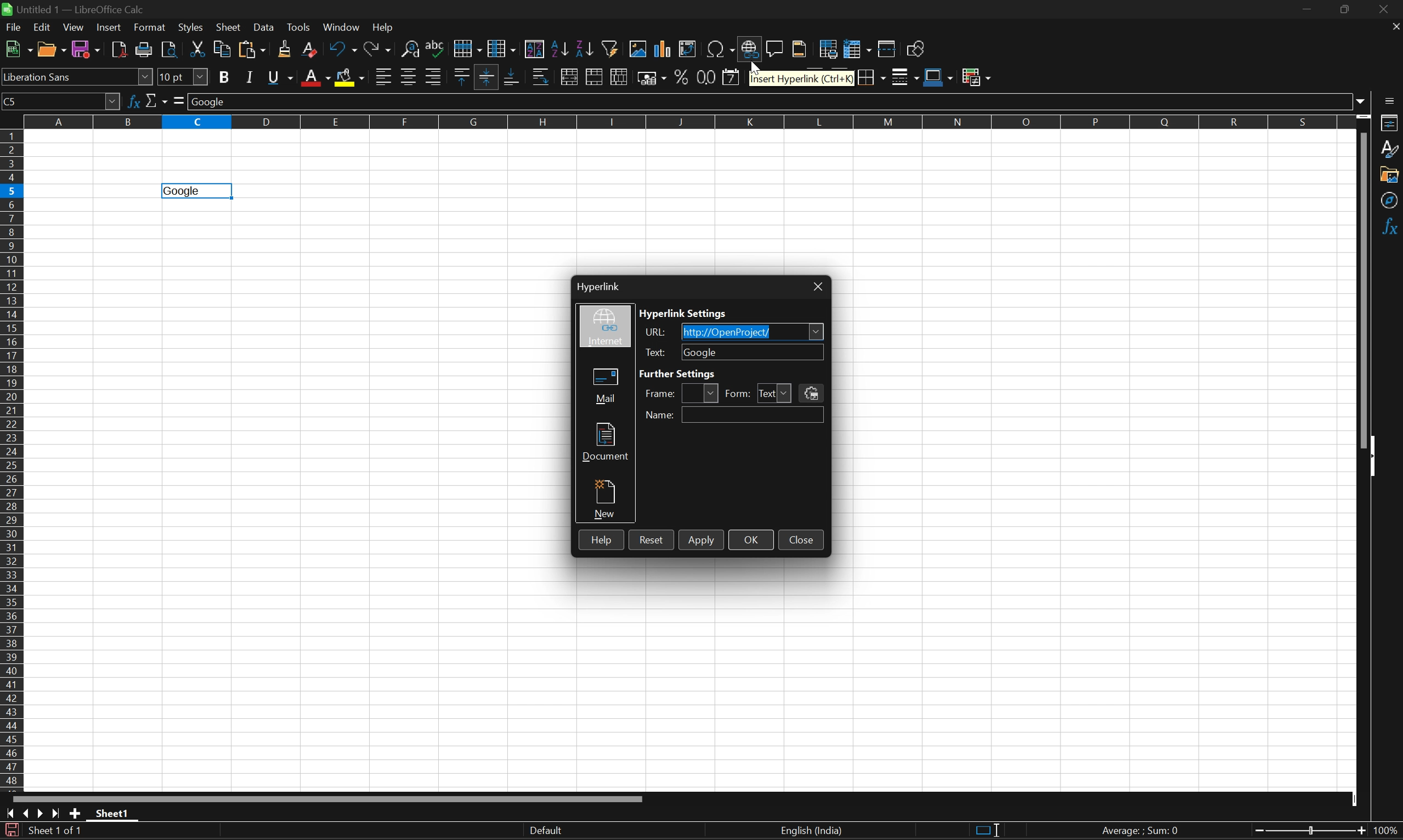 This screenshot has height=840, width=1403. I want to click on Sort, so click(534, 48).